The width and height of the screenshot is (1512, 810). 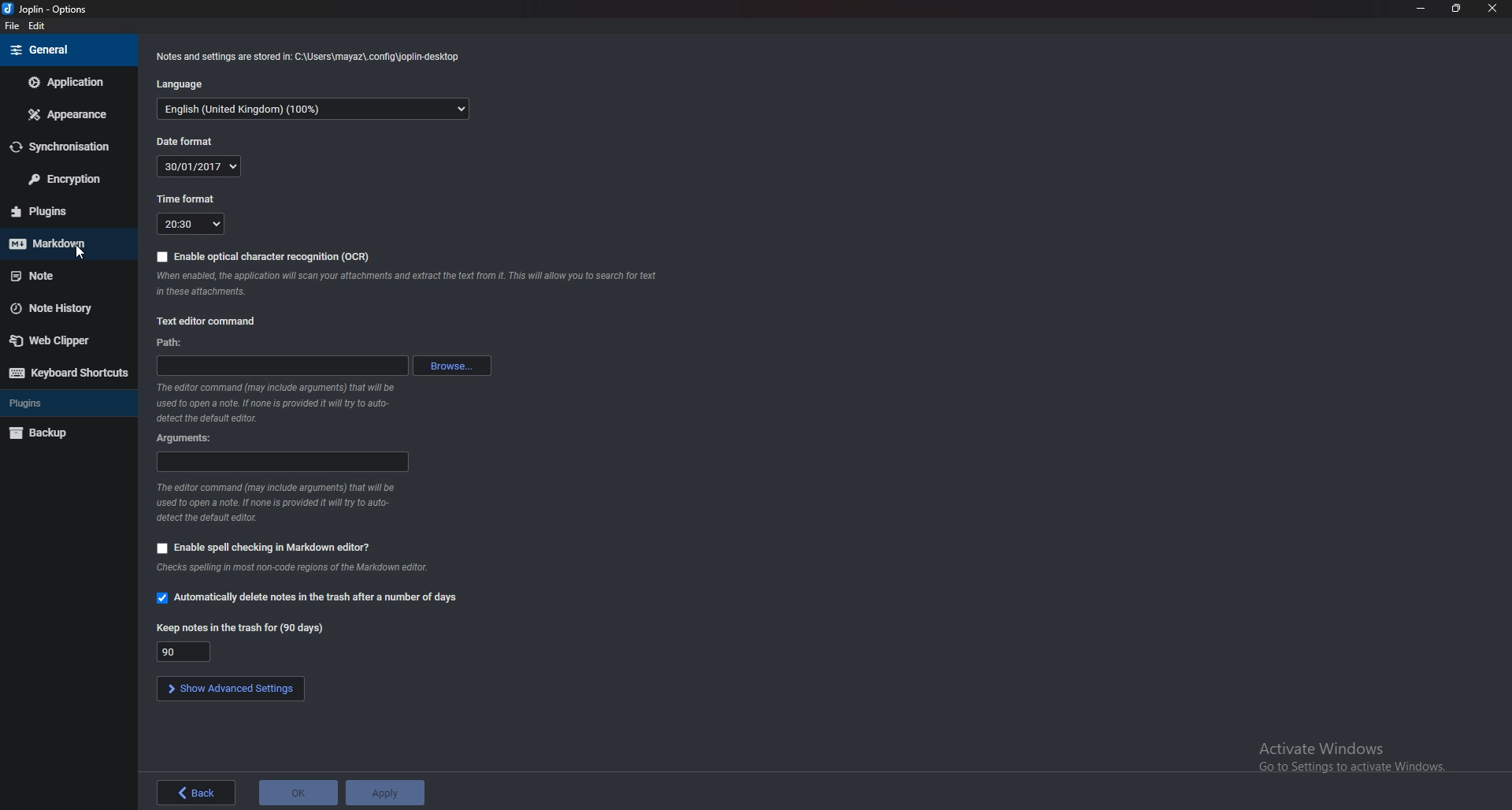 I want to click on editor command info, so click(x=273, y=403).